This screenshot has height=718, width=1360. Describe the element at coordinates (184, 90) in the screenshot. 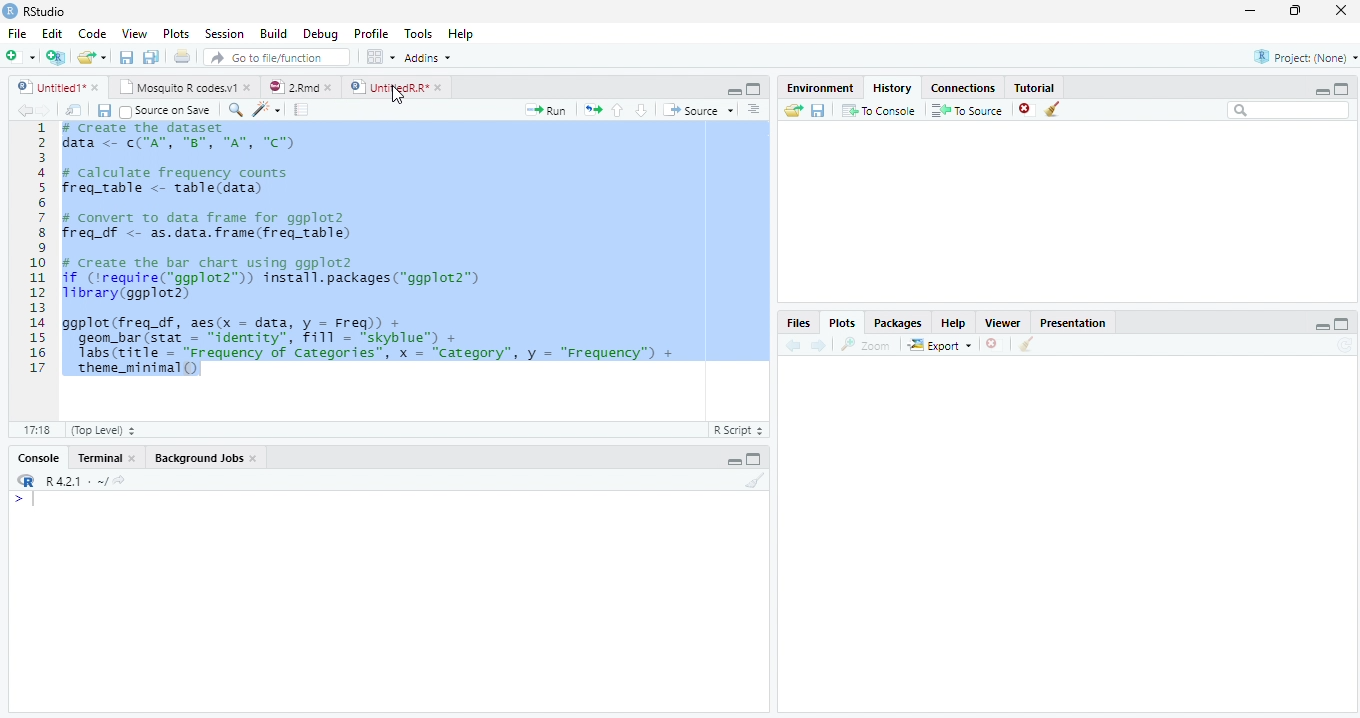

I see `Mosquito R codes1` at that location.